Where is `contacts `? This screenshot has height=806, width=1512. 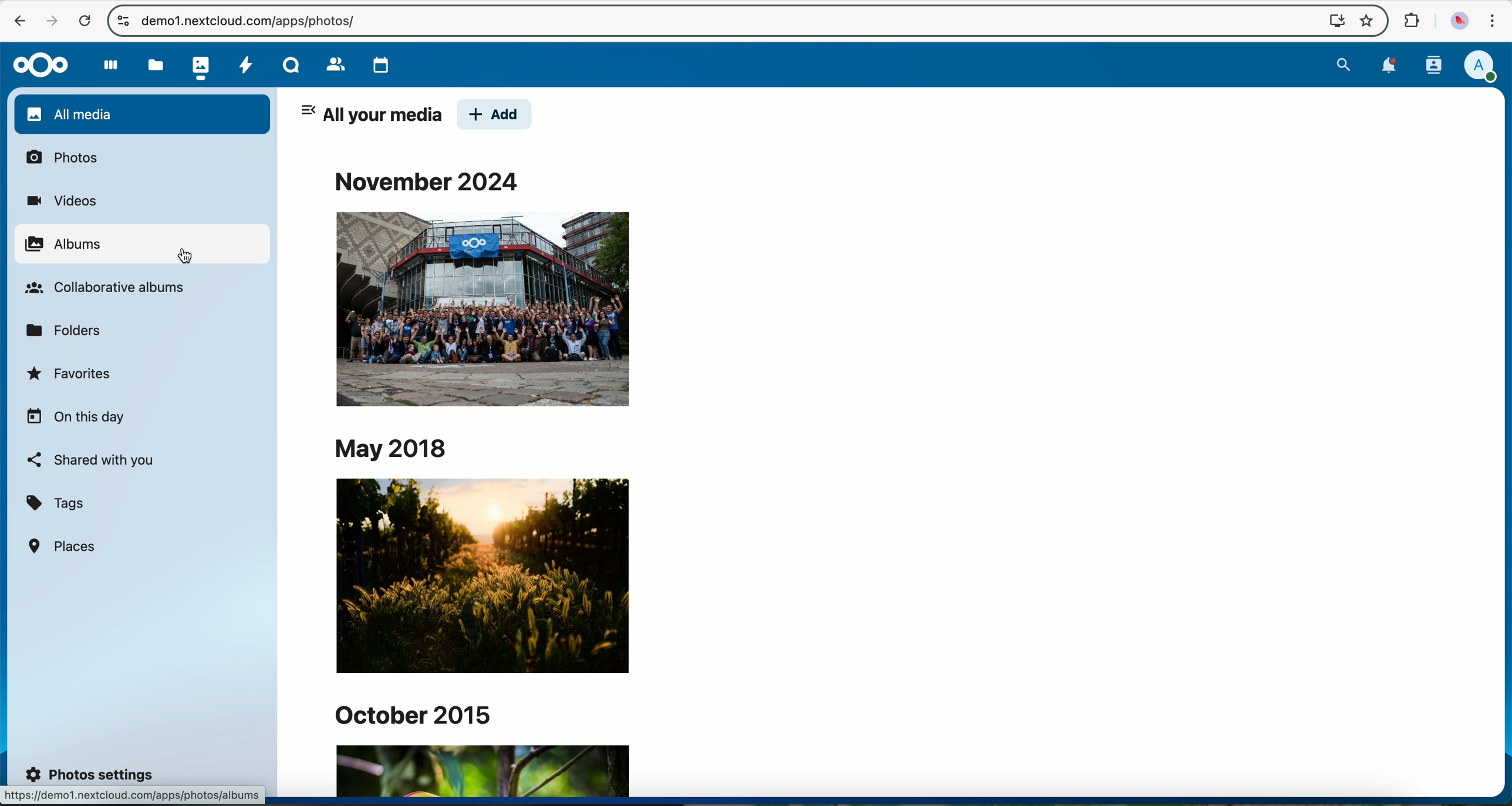
contacts  is located at coordinates (331, 62).